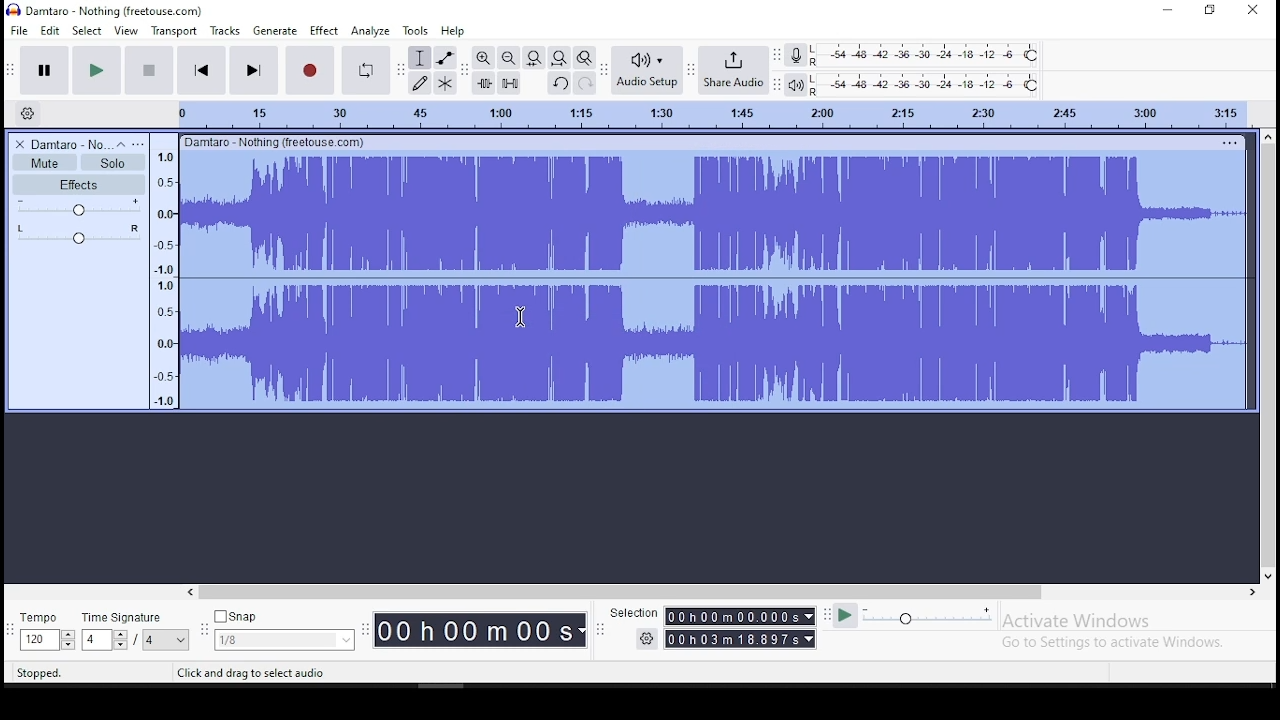 This screenshot has height=720, width=1280. Describe the element at coordinates (236, 615) in the screenshot. I see `snap button` at that location.